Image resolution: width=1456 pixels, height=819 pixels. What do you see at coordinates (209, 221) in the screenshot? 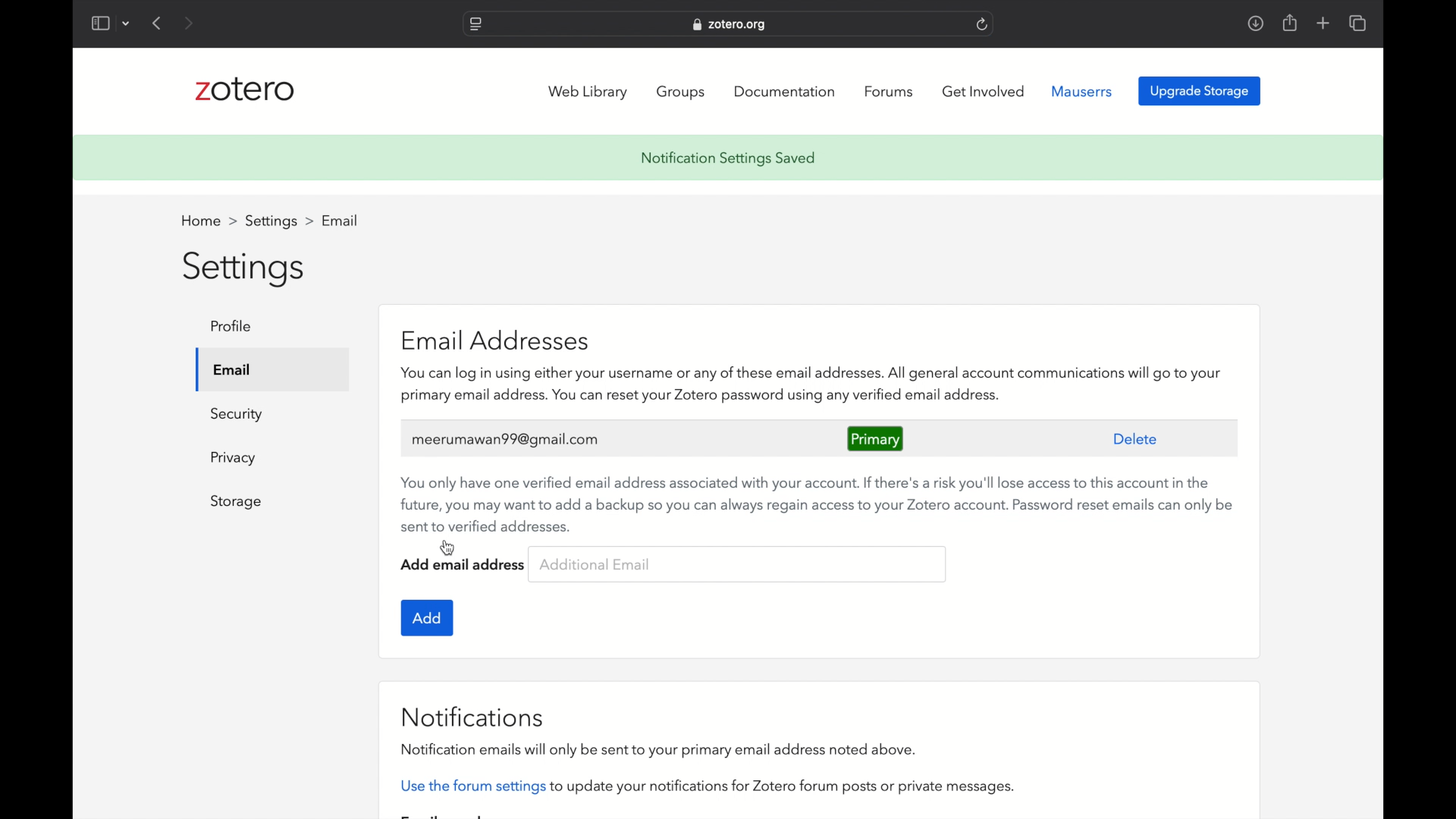
I see `home` at bounding box center [209, 221].